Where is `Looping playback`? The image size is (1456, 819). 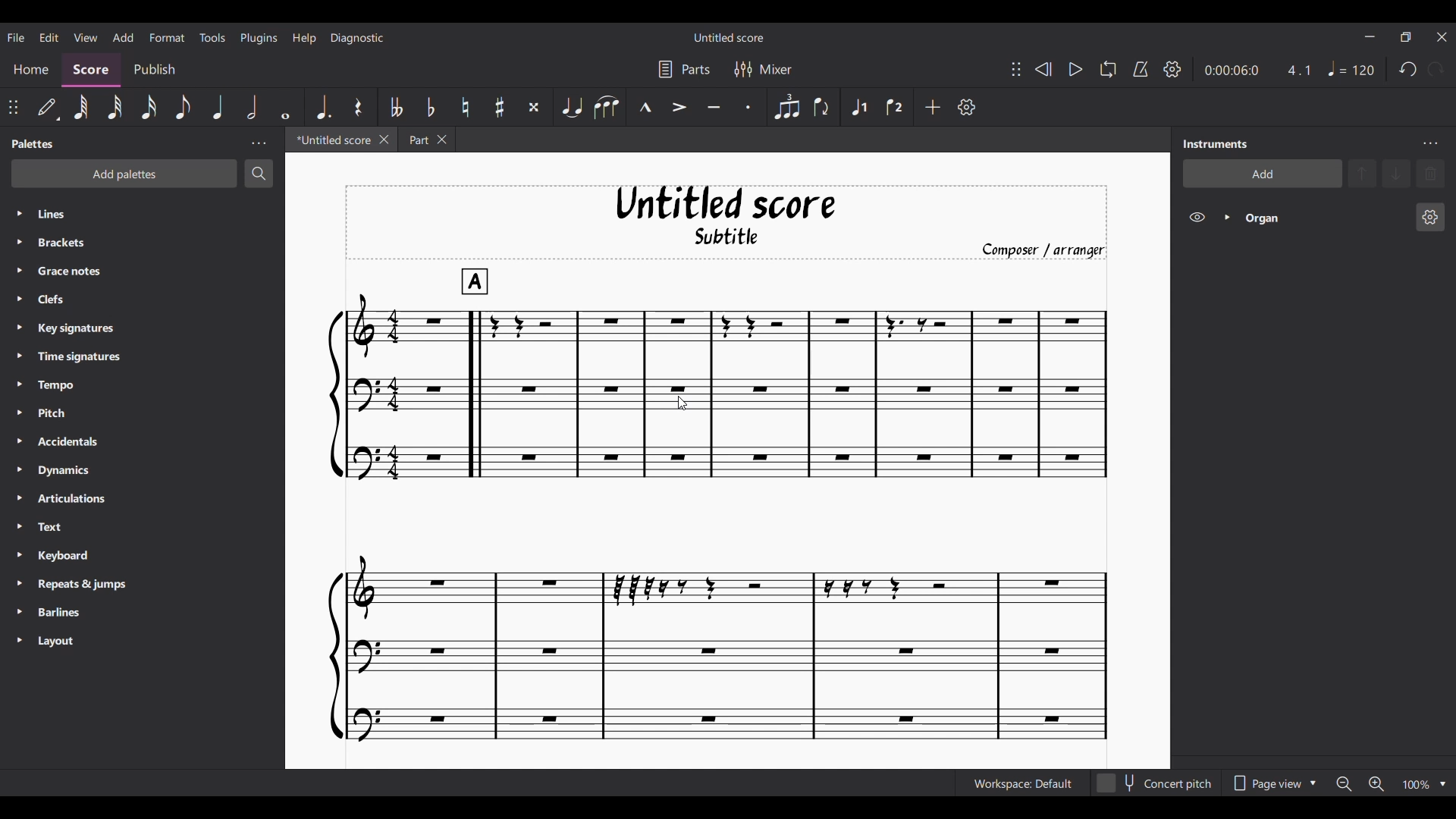 Looping playback is located at coordinates (1107, 69).